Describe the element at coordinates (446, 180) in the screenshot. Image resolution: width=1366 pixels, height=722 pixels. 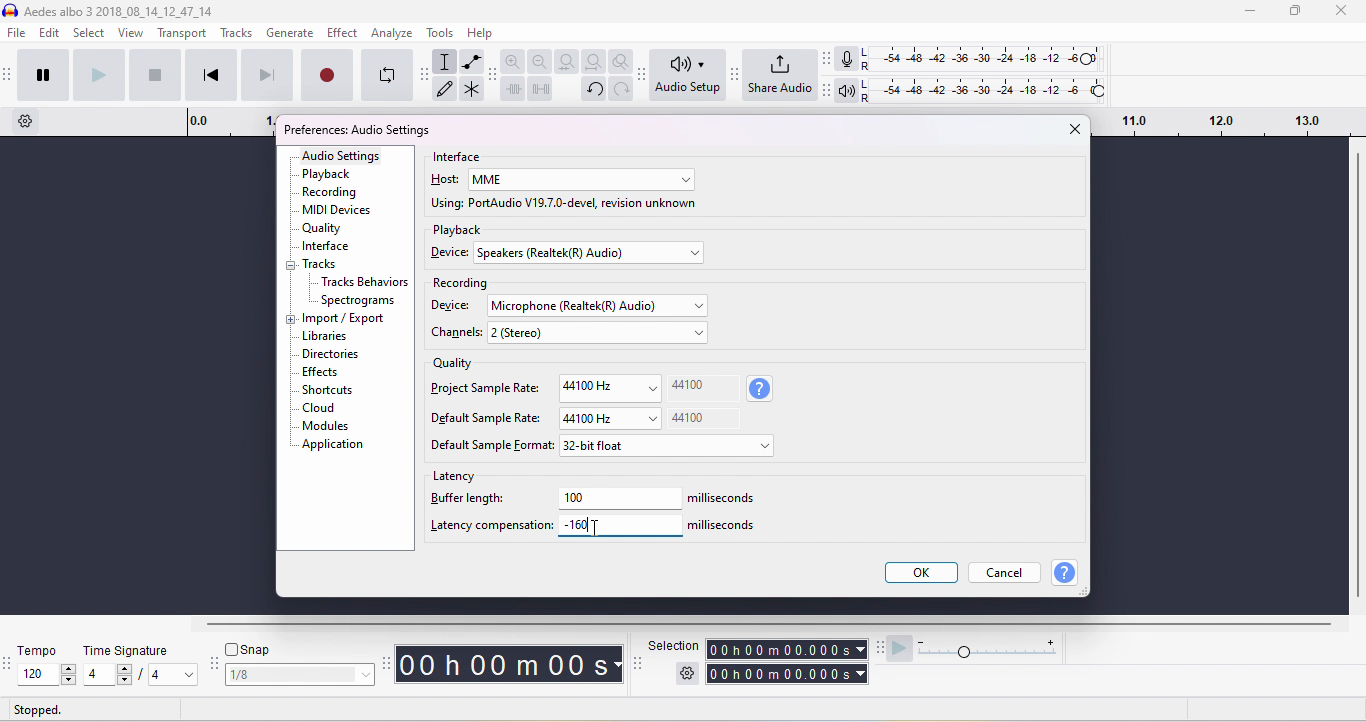
I see `host` at that location.